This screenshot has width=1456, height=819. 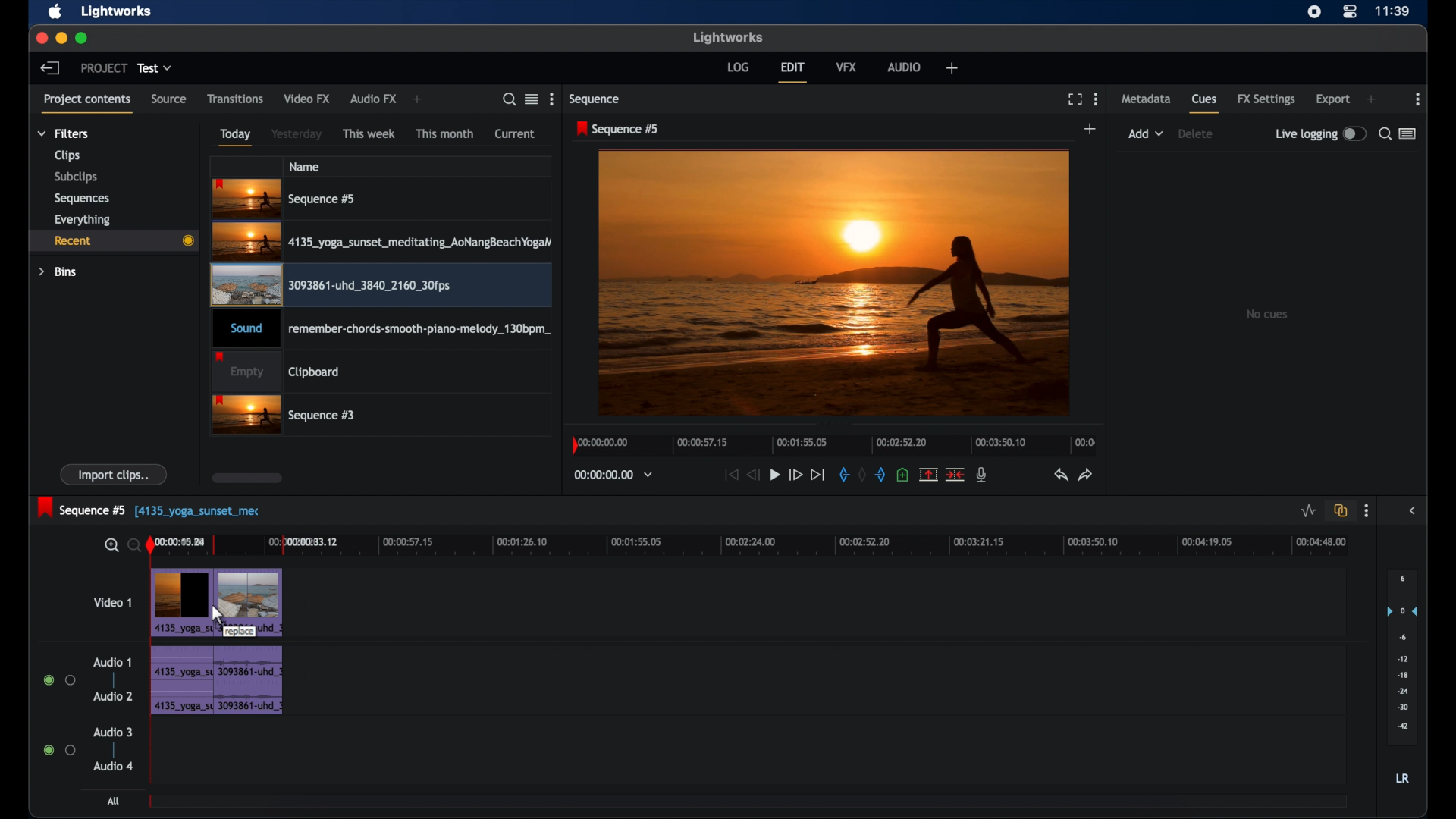 I want to click on live logging, so click(x=1321, y=133).